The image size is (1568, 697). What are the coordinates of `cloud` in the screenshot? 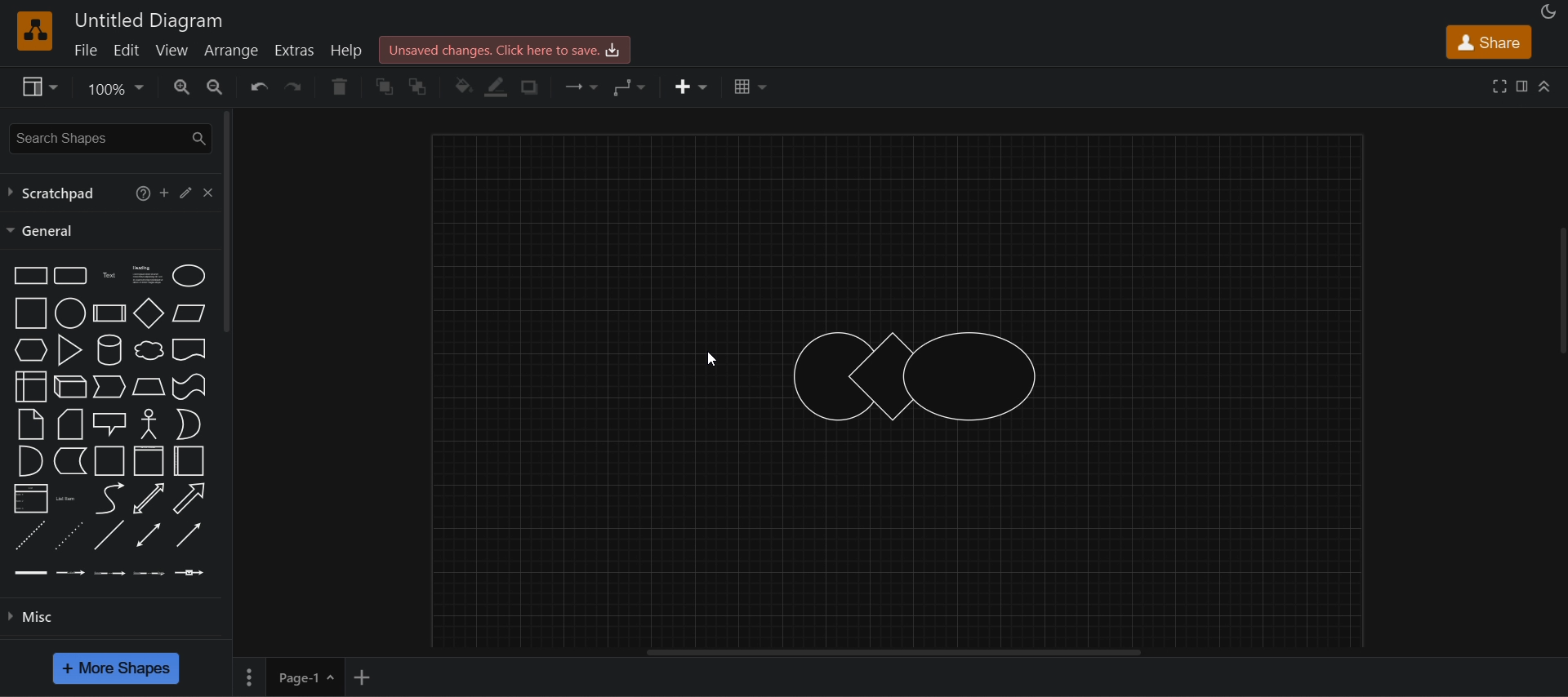 It's located at (147, 350).